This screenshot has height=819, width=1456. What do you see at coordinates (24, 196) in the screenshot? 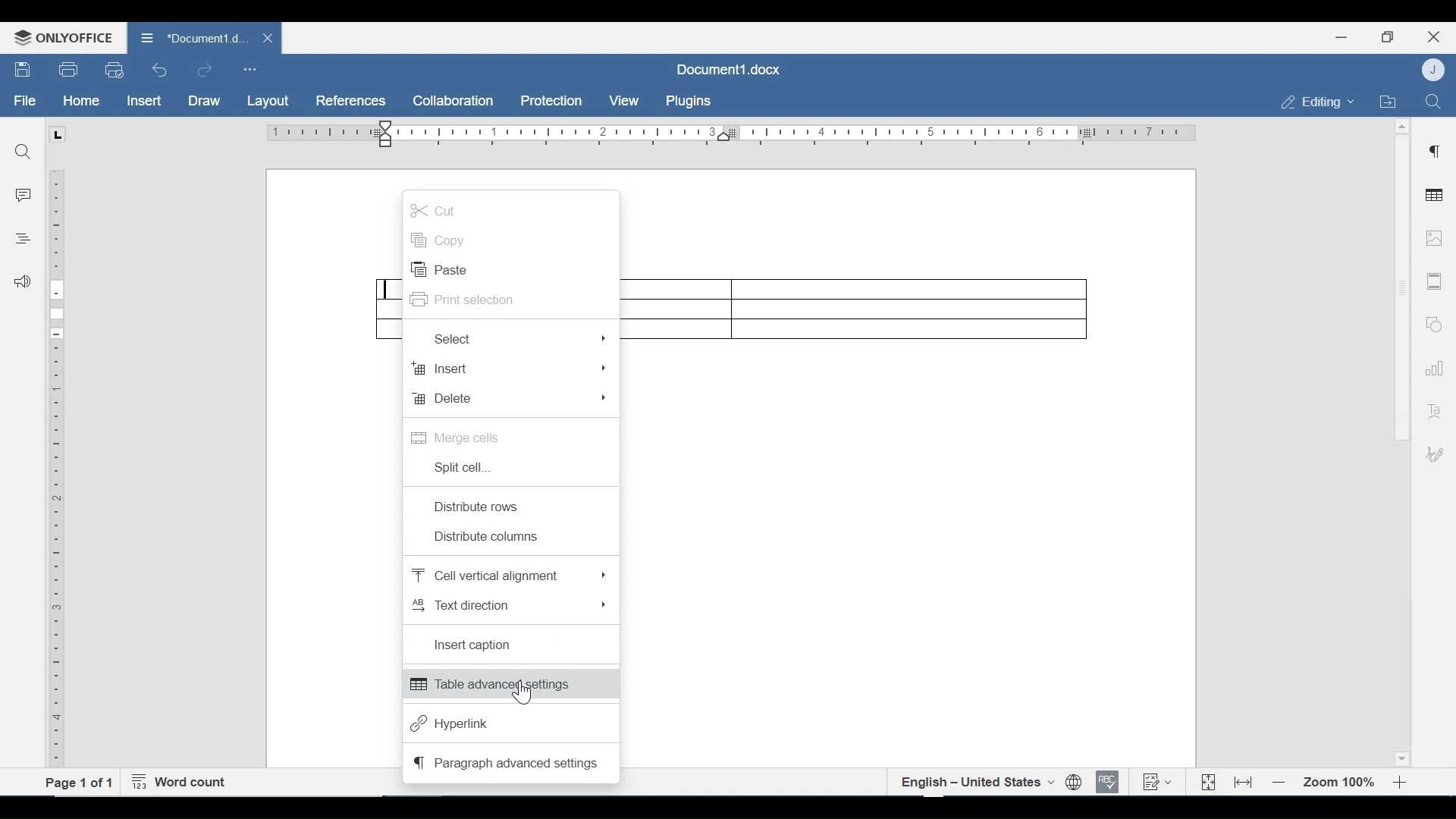
I see `Comment` at bounding box center [24, 196].